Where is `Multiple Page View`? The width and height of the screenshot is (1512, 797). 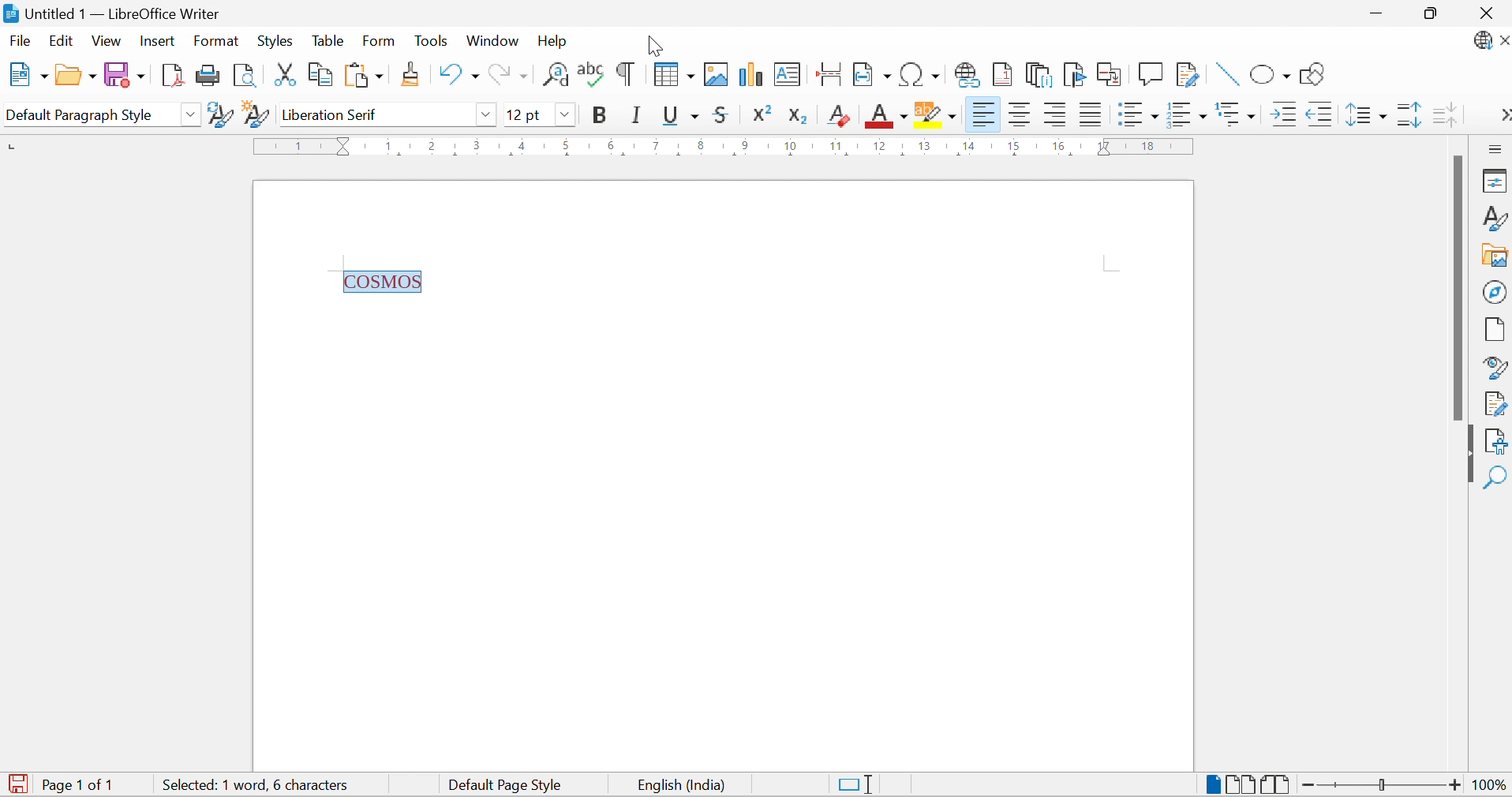
Multiple Page View is located at coordinates (1241, 783).